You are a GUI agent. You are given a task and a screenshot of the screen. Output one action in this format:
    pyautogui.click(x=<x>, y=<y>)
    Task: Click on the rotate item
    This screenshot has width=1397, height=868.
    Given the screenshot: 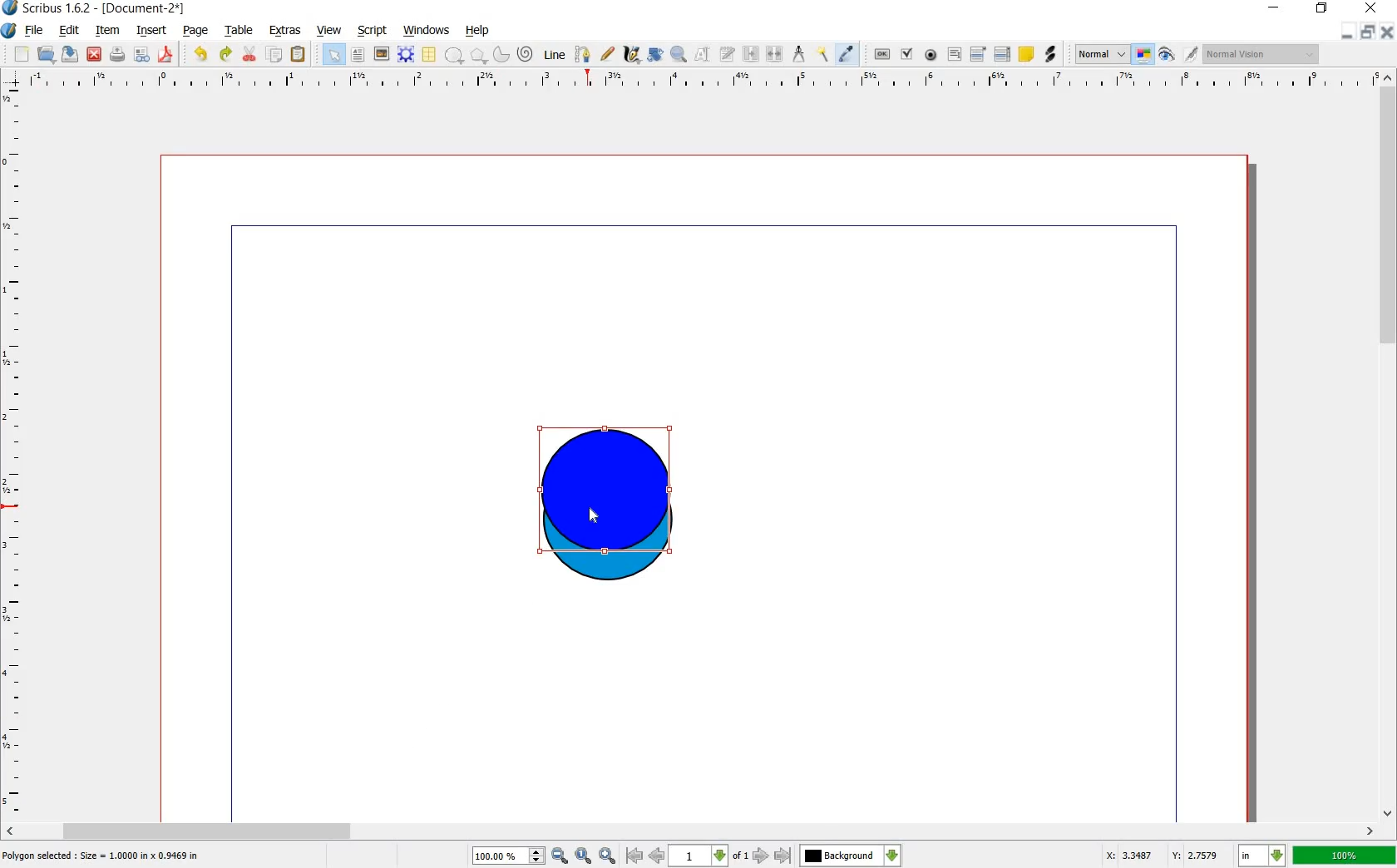 What is the action you would take?
    pyautogui.click(x=655, y=55)
    